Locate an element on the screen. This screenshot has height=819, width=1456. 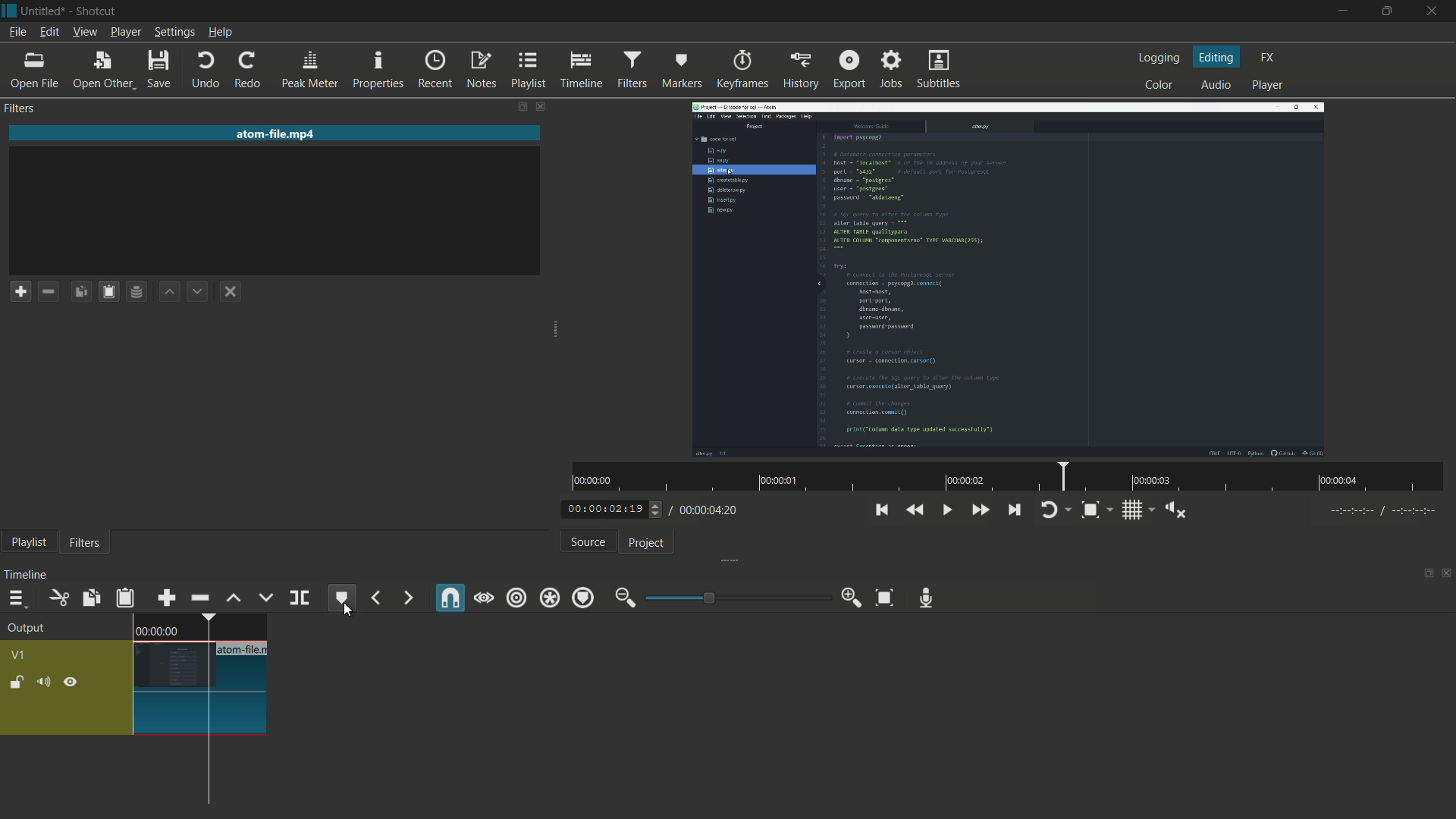
properties is located at coordinates (377, 71).